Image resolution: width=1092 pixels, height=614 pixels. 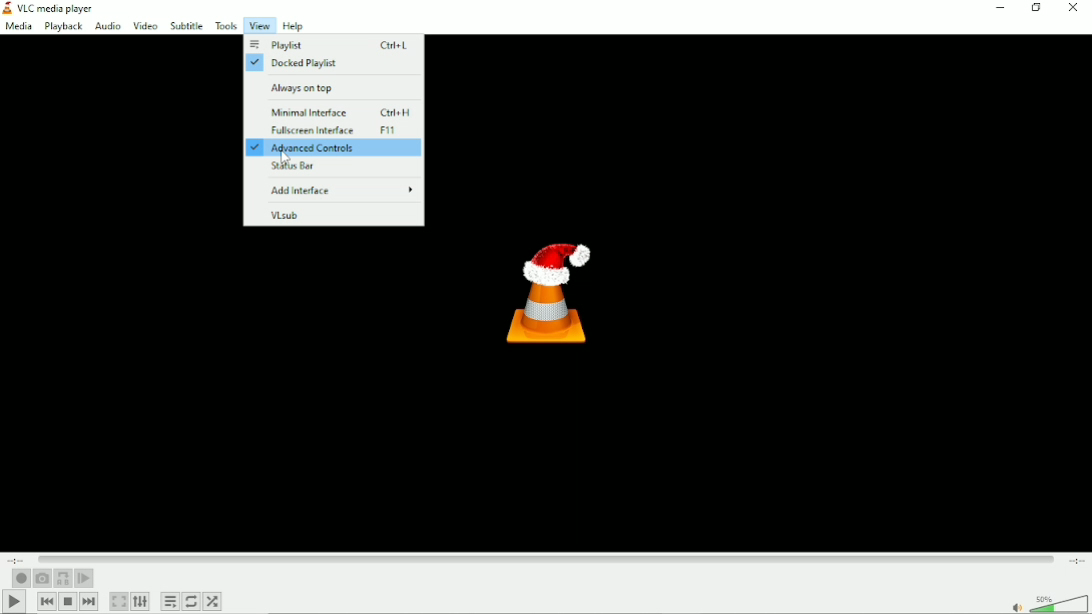 I want to click on Always on top, so click(x=310, y=87).